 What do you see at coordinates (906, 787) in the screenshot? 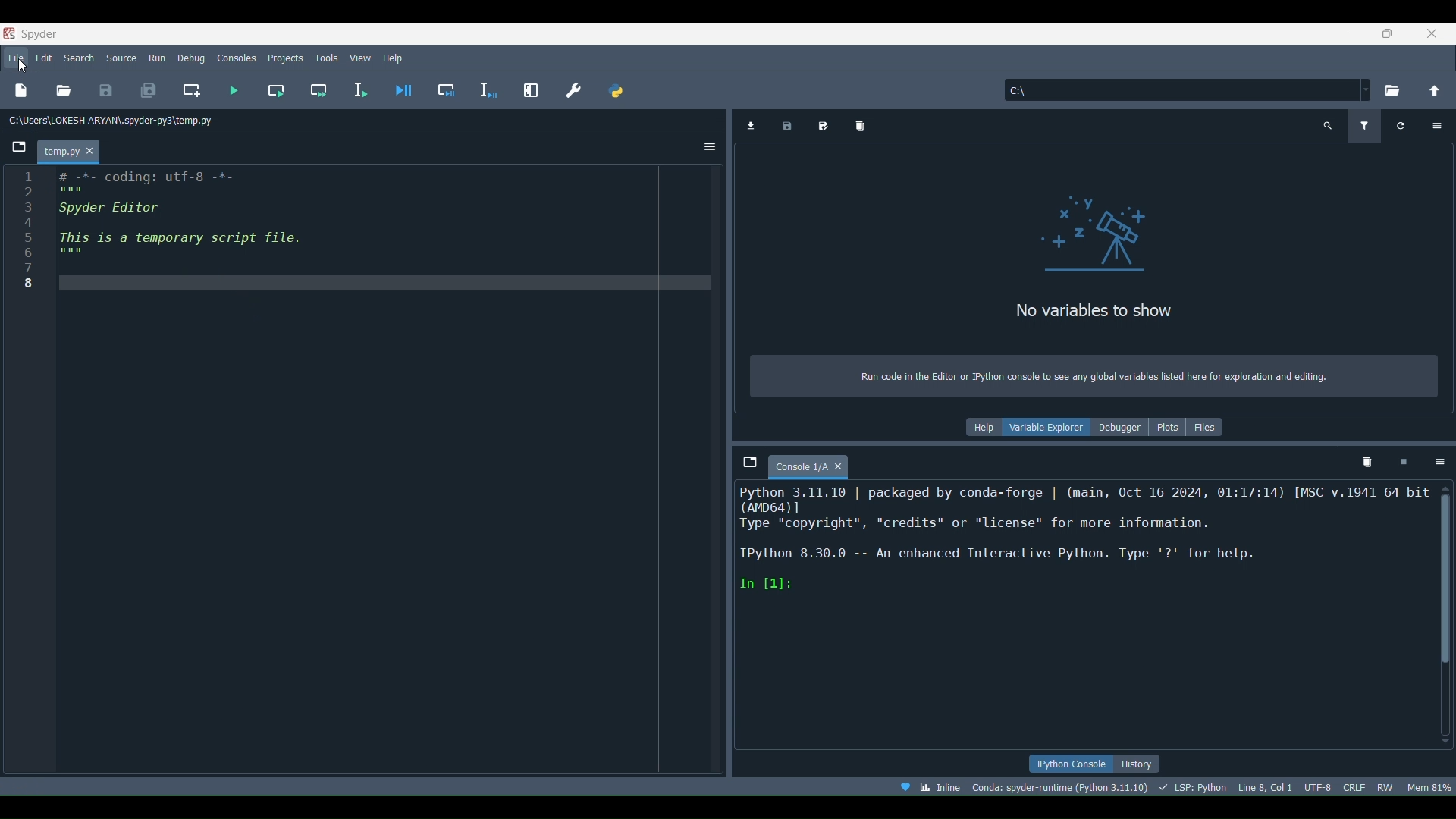
I see `Help Spyder!` at bounding box center [906, 787].